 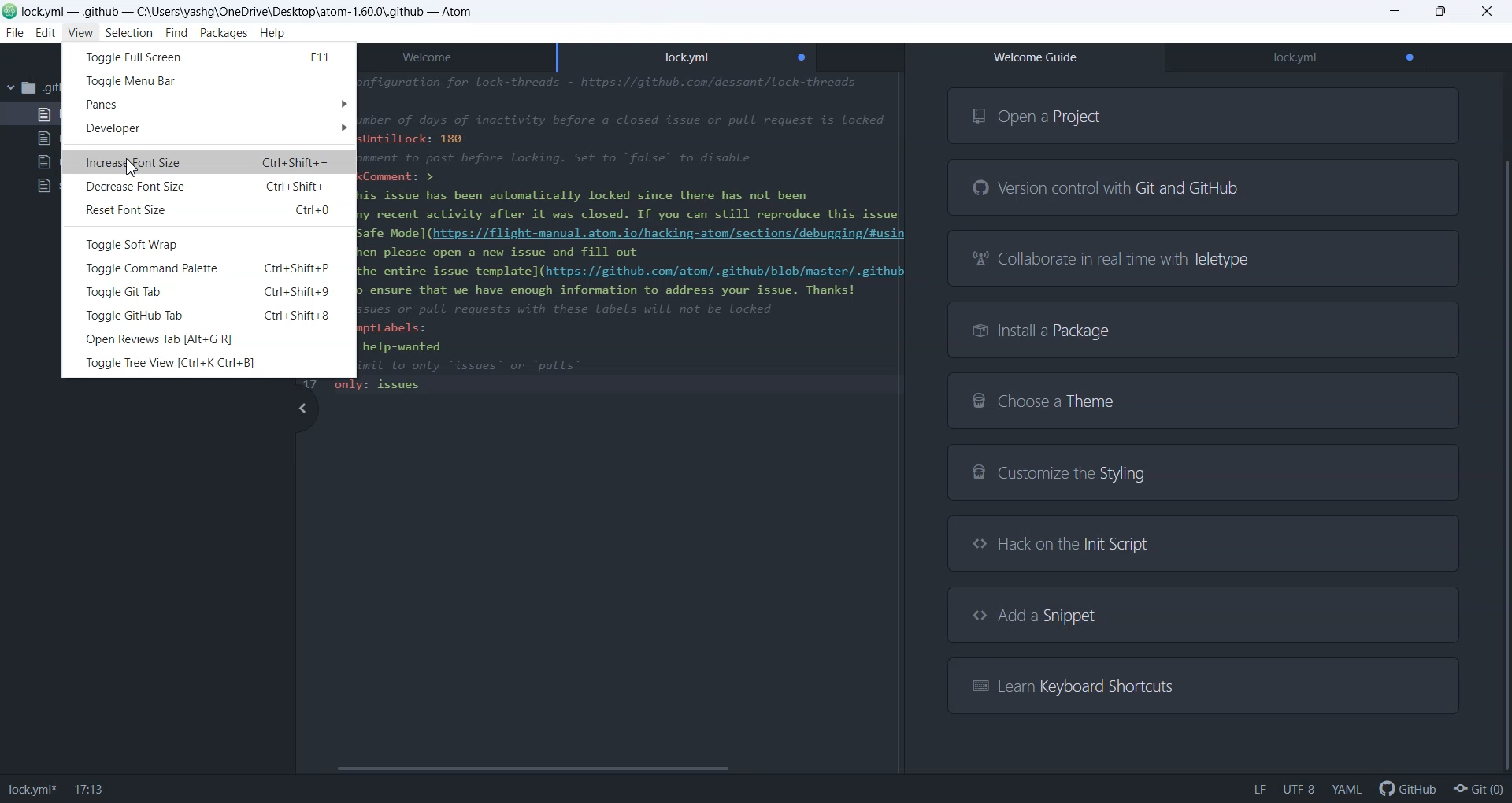 I want to click on Reset font size, so click(x=209, y=210).